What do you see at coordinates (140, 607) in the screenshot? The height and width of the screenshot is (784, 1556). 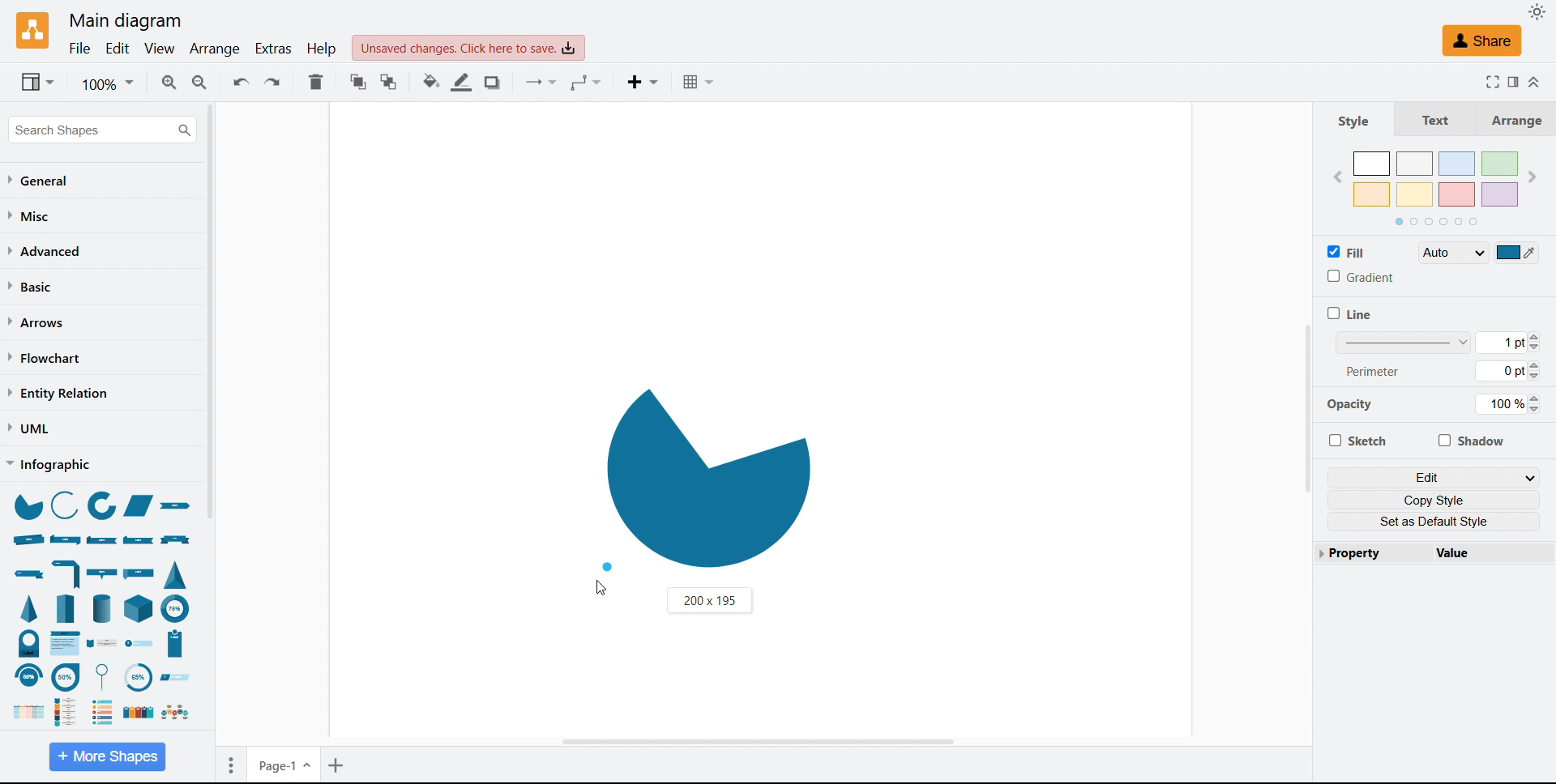 I see `cube` at bounding box center [140, 607].